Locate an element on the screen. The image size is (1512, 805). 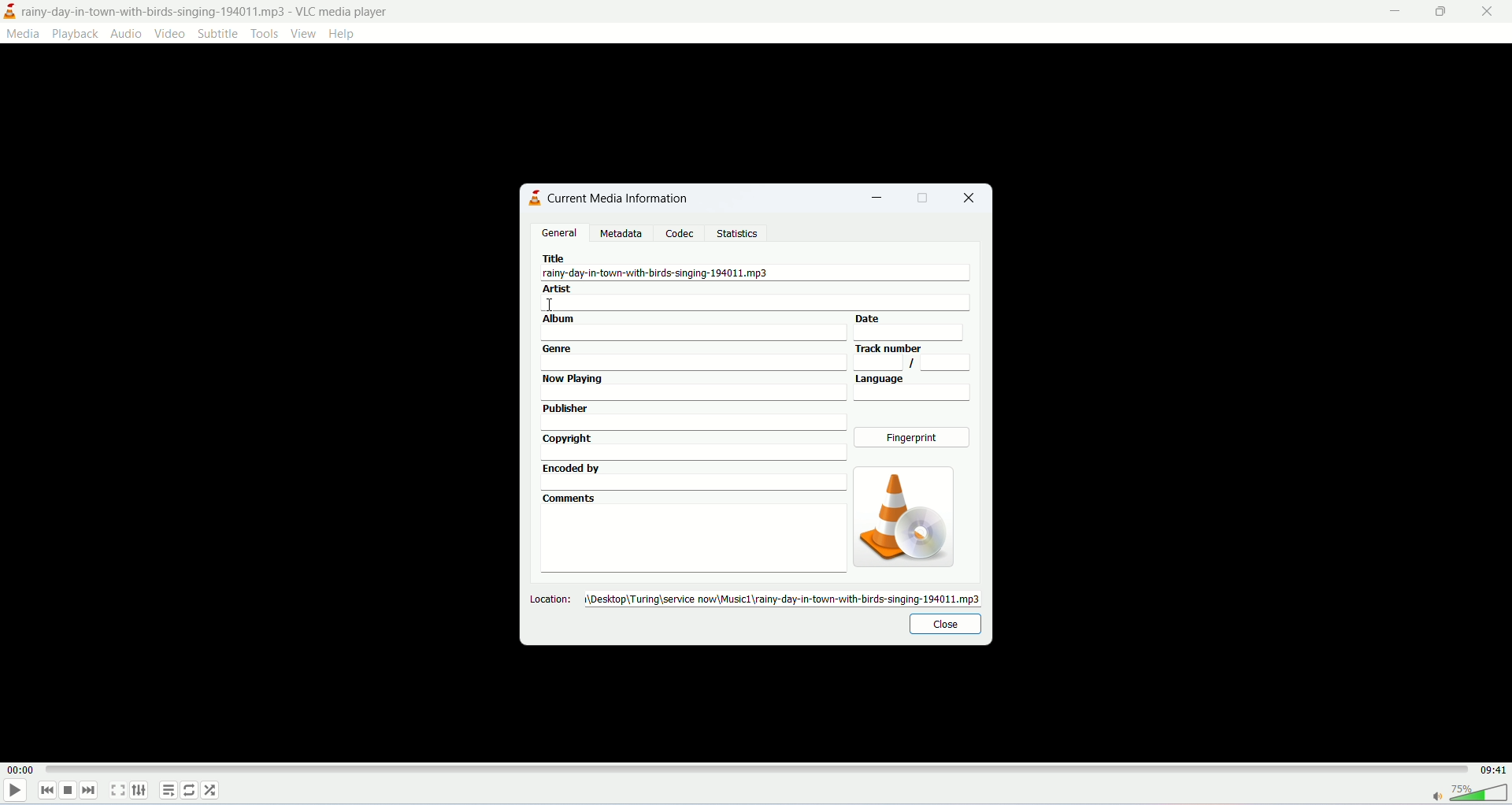
close is located at coordinates (1486, 13).